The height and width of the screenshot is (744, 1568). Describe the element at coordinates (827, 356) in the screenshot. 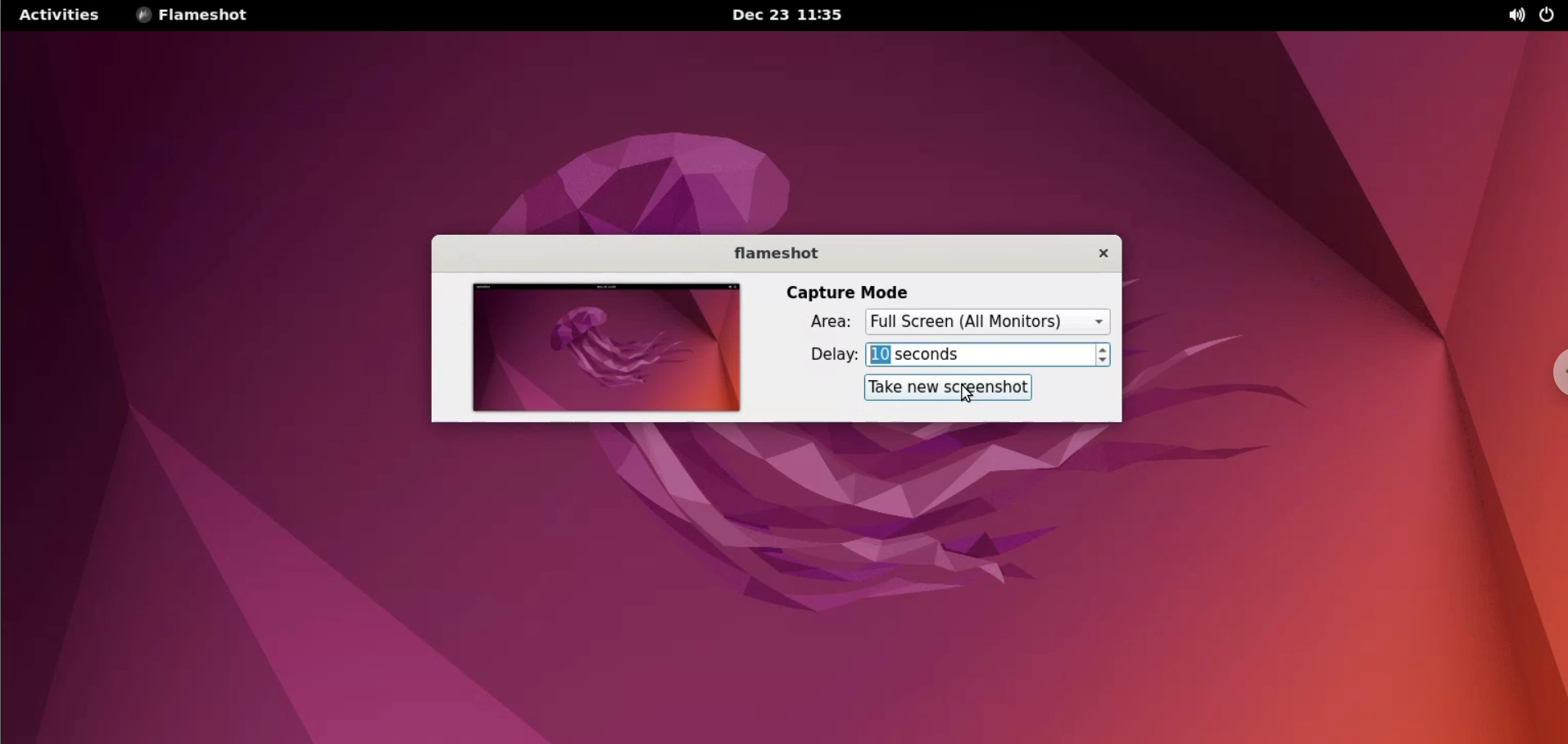

I see `delay:` at that location.